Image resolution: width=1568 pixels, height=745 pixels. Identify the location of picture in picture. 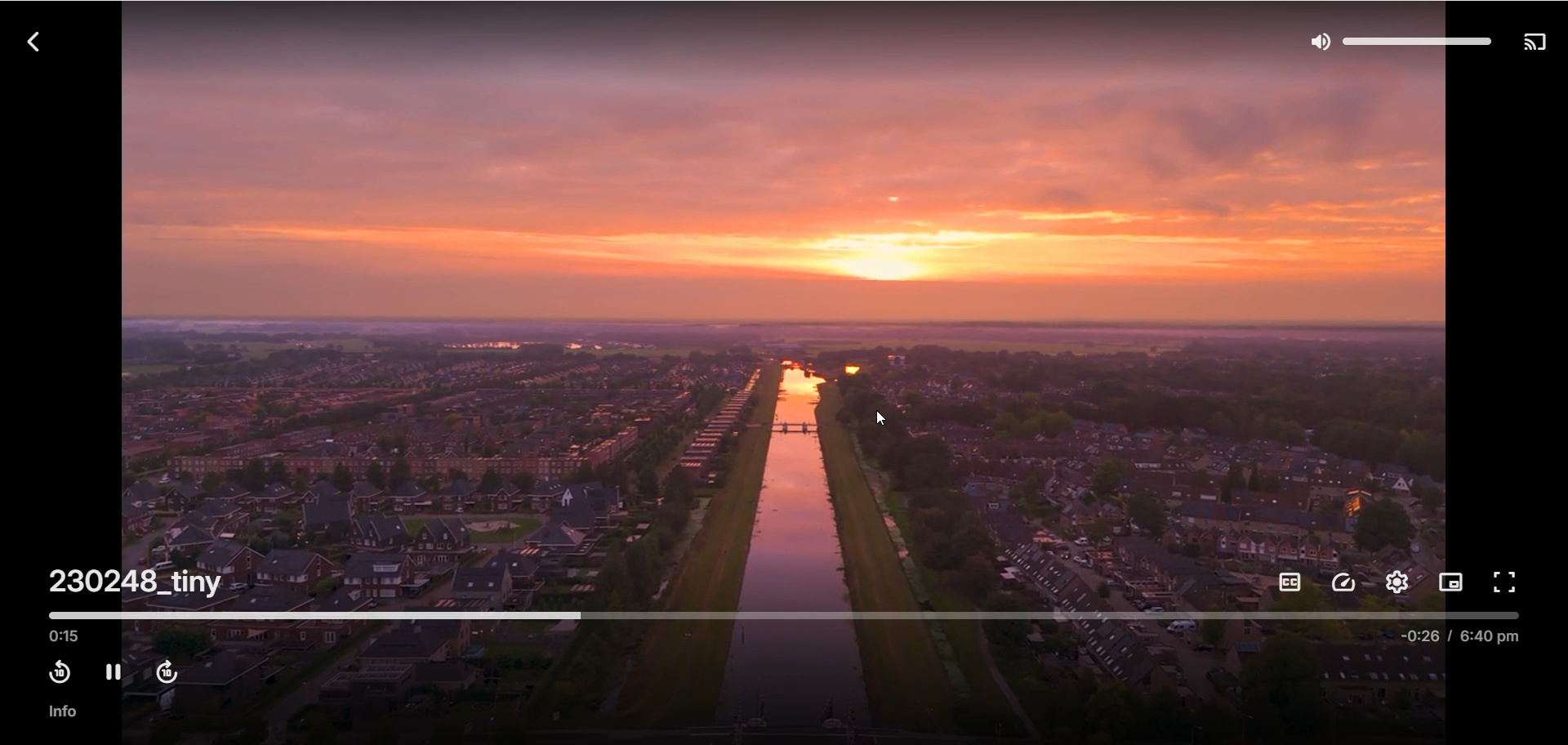
(1454, 582).